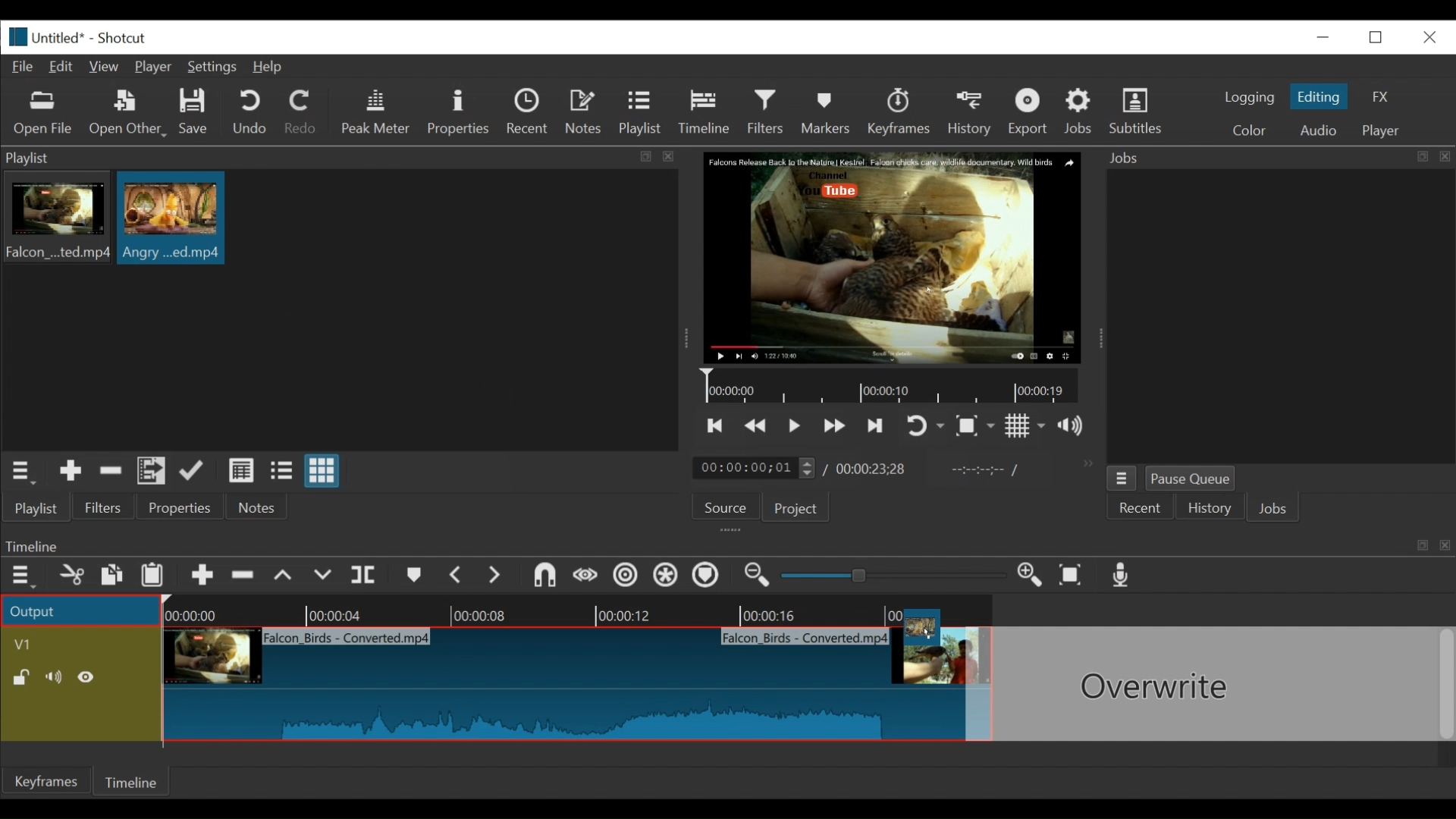  What do you see at coordinates (61, 39) in the screenshot?
I see `File name` at bounding box center [61, 39].